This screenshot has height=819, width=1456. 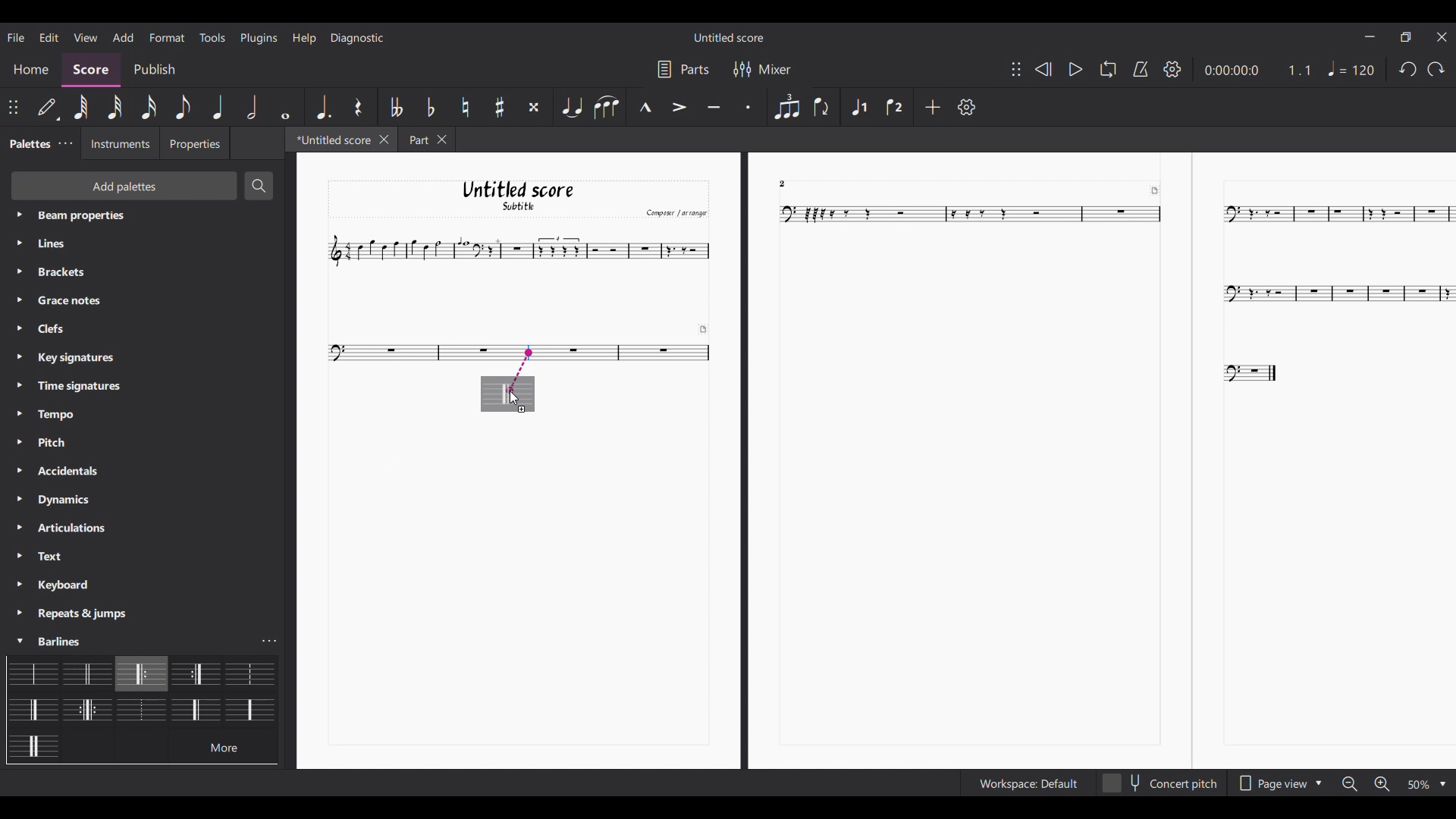 I want to click on Palette settings, so click(x=60, y=444).